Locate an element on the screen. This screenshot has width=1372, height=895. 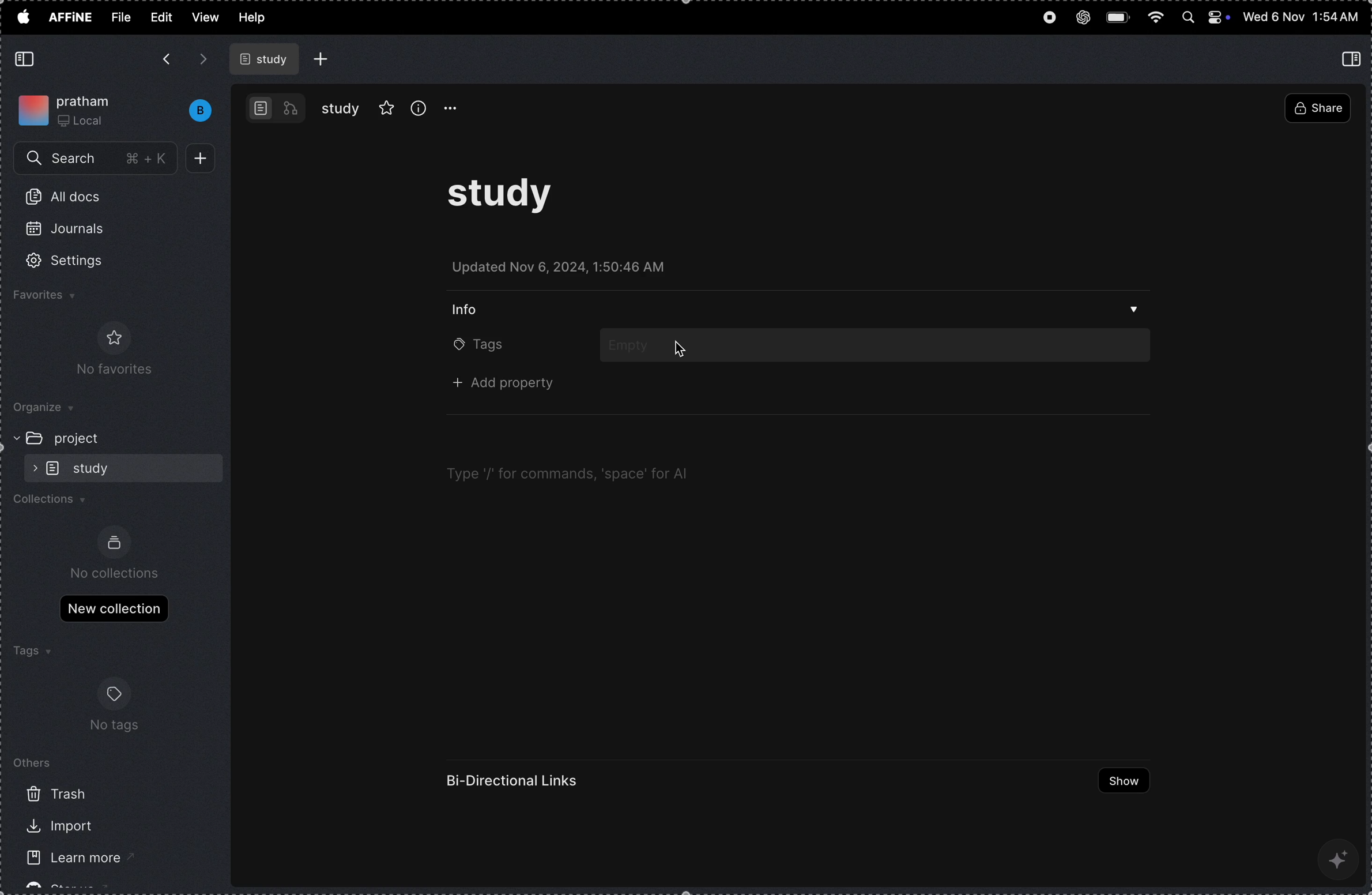
all docs is located at coordinates (69, 199).